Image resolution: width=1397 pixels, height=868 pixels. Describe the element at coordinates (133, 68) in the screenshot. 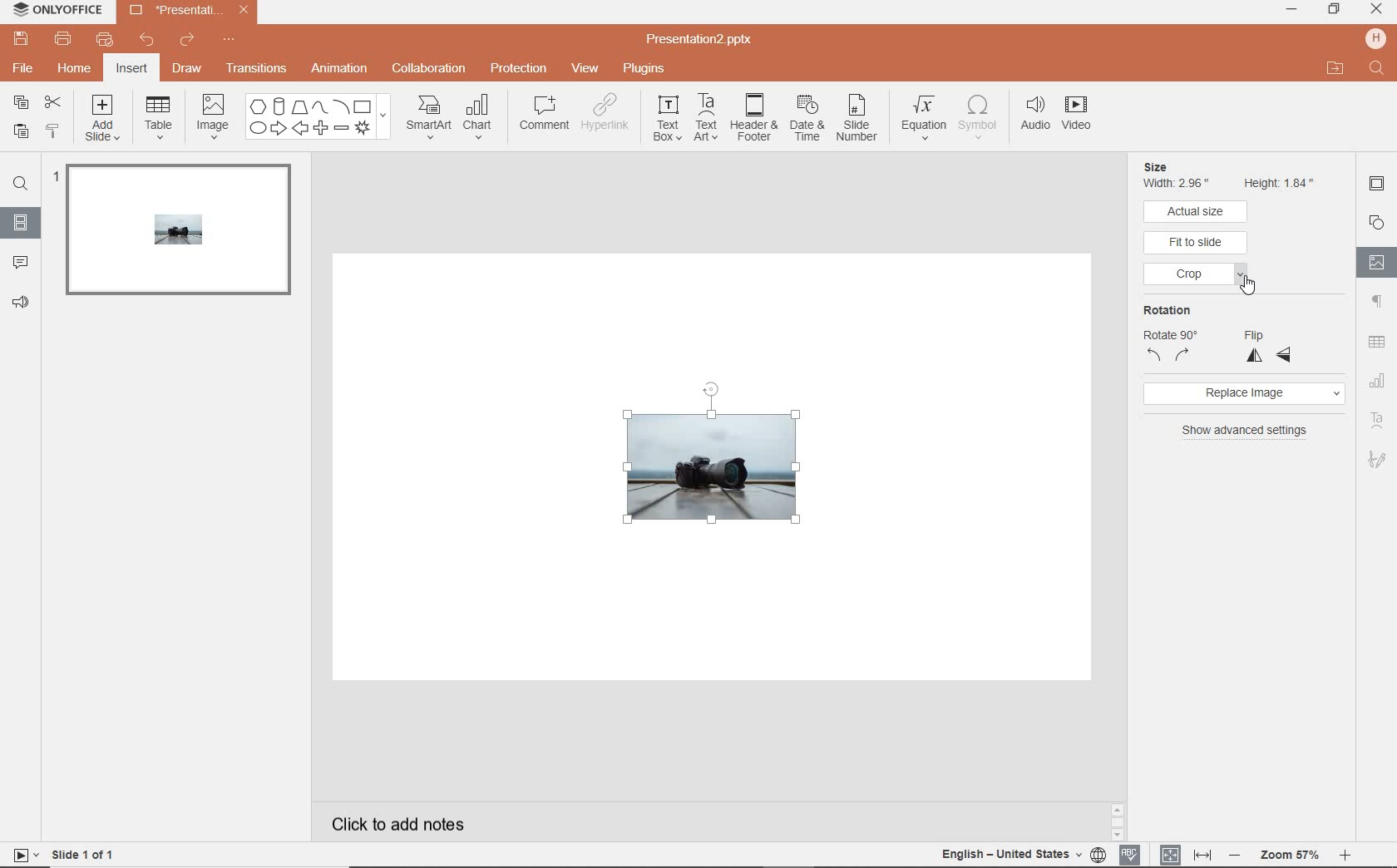

I see `insert` at that location.